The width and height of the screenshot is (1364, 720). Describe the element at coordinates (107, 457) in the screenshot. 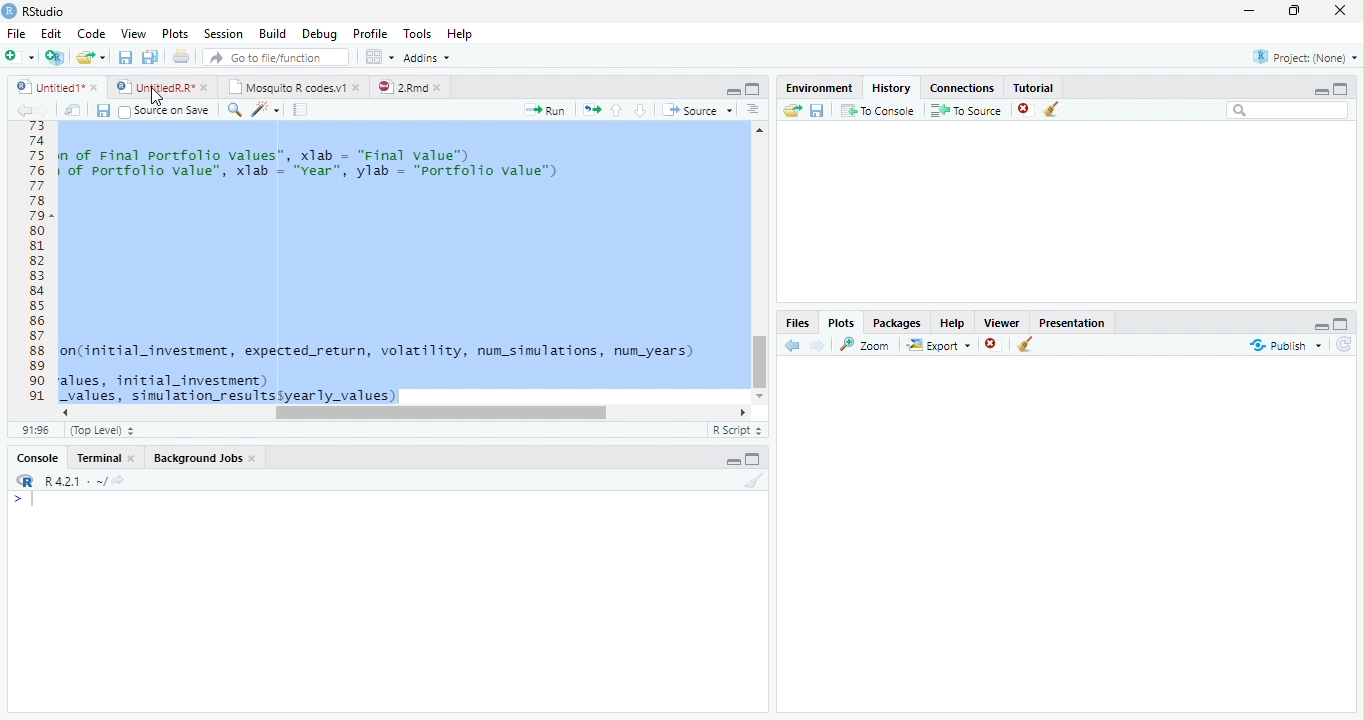

I see `Terminal` at that location.